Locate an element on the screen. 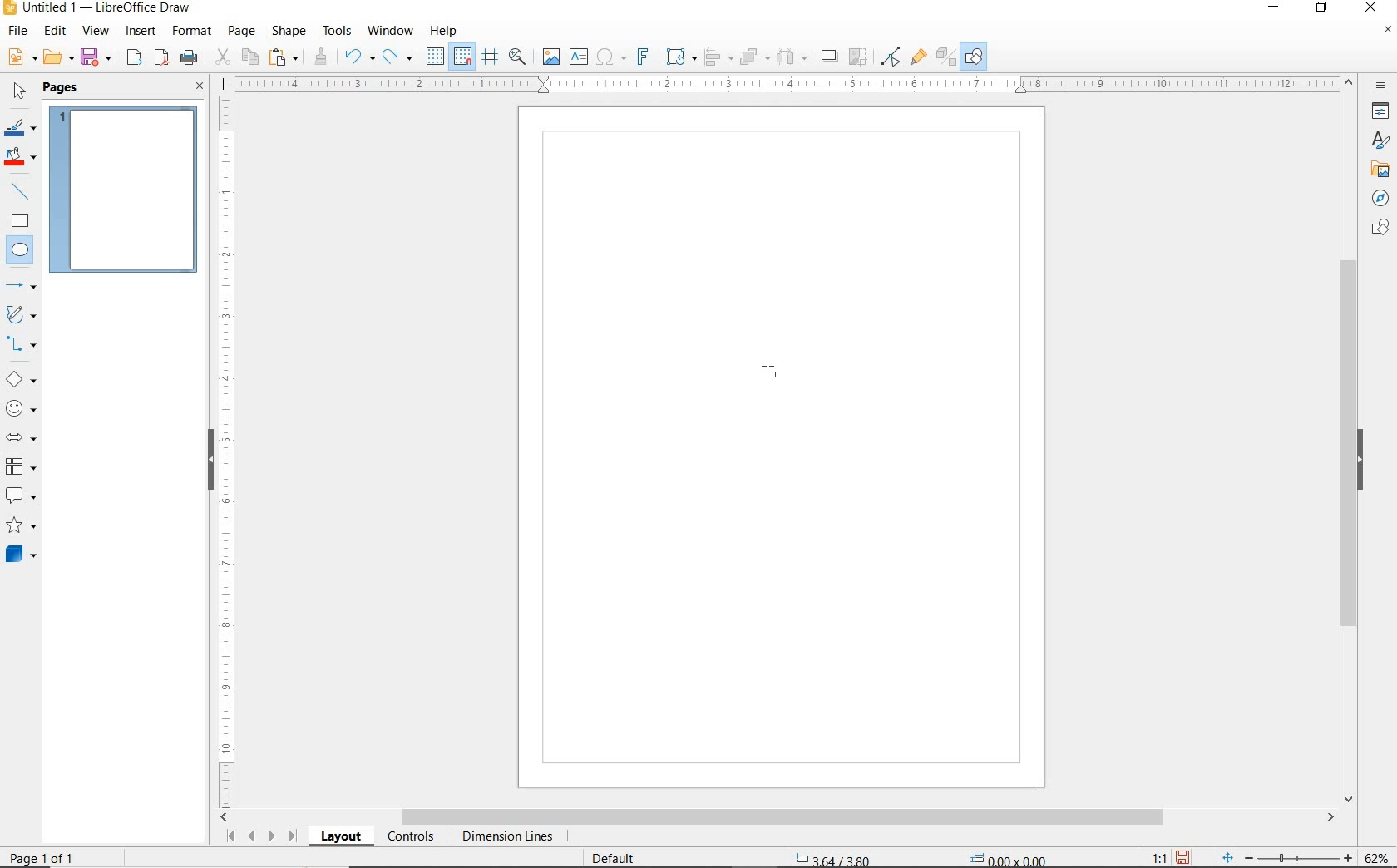 This screenshot has height=868, width=1397. WINDOW is located at coordinates (390, 31).